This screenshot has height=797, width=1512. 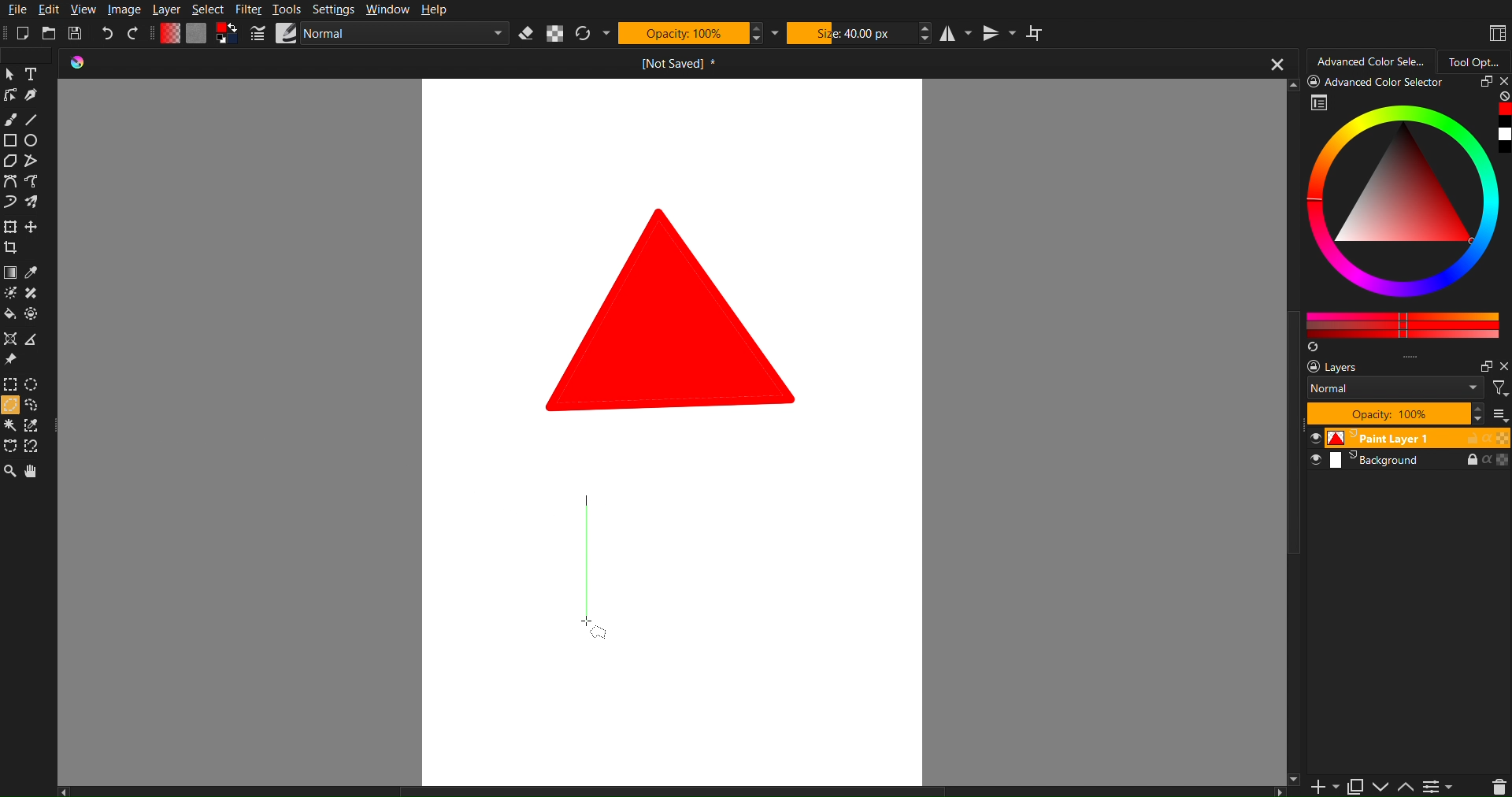 I want to click on Wraparound, so click(x=1037, y=33).